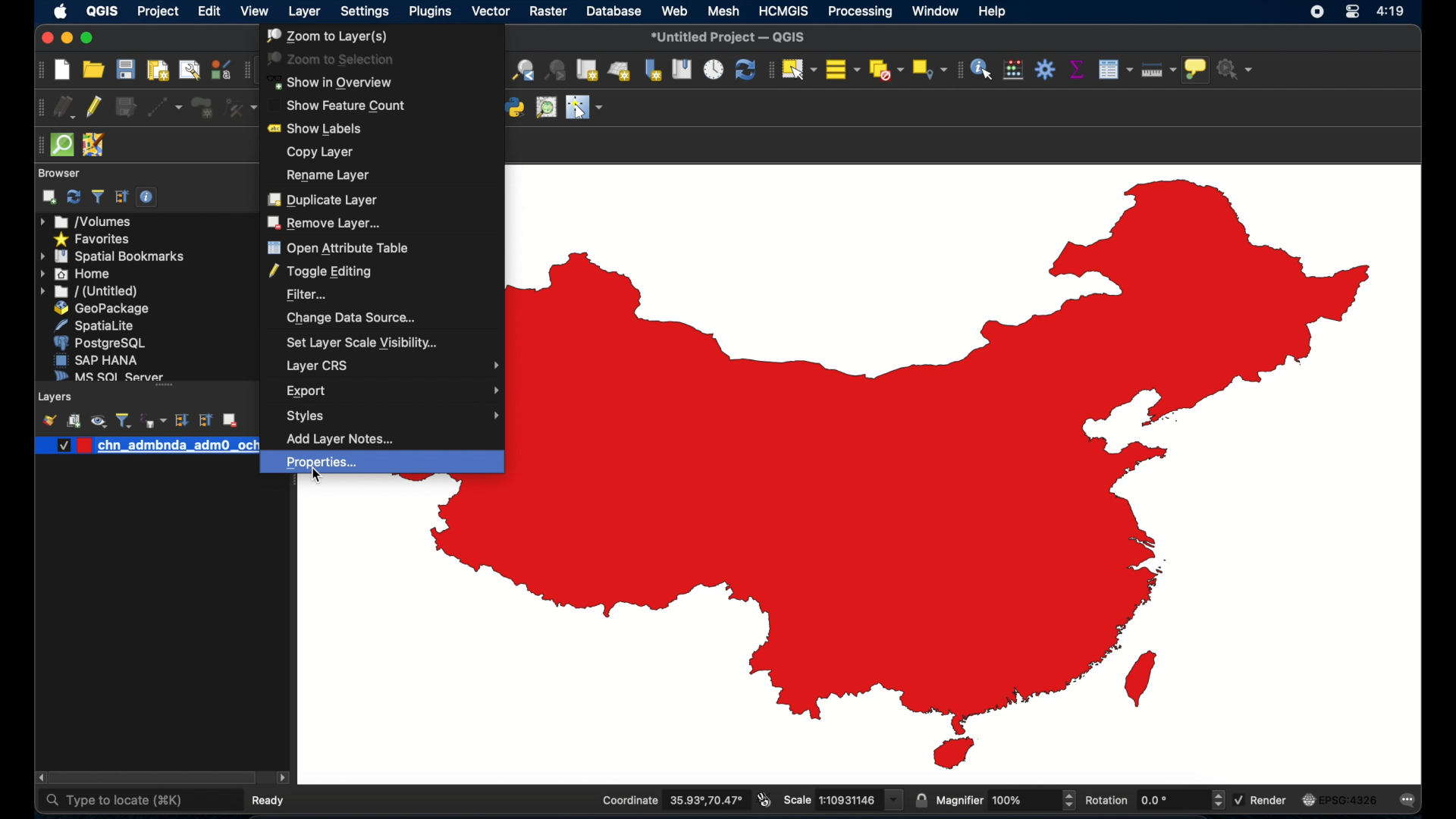 This screenshot has height=819, width=1456. What do you see at coordinates (957, 71) in the screenshot?
I see `attributes toolbar` at bounding box center [957, 71].